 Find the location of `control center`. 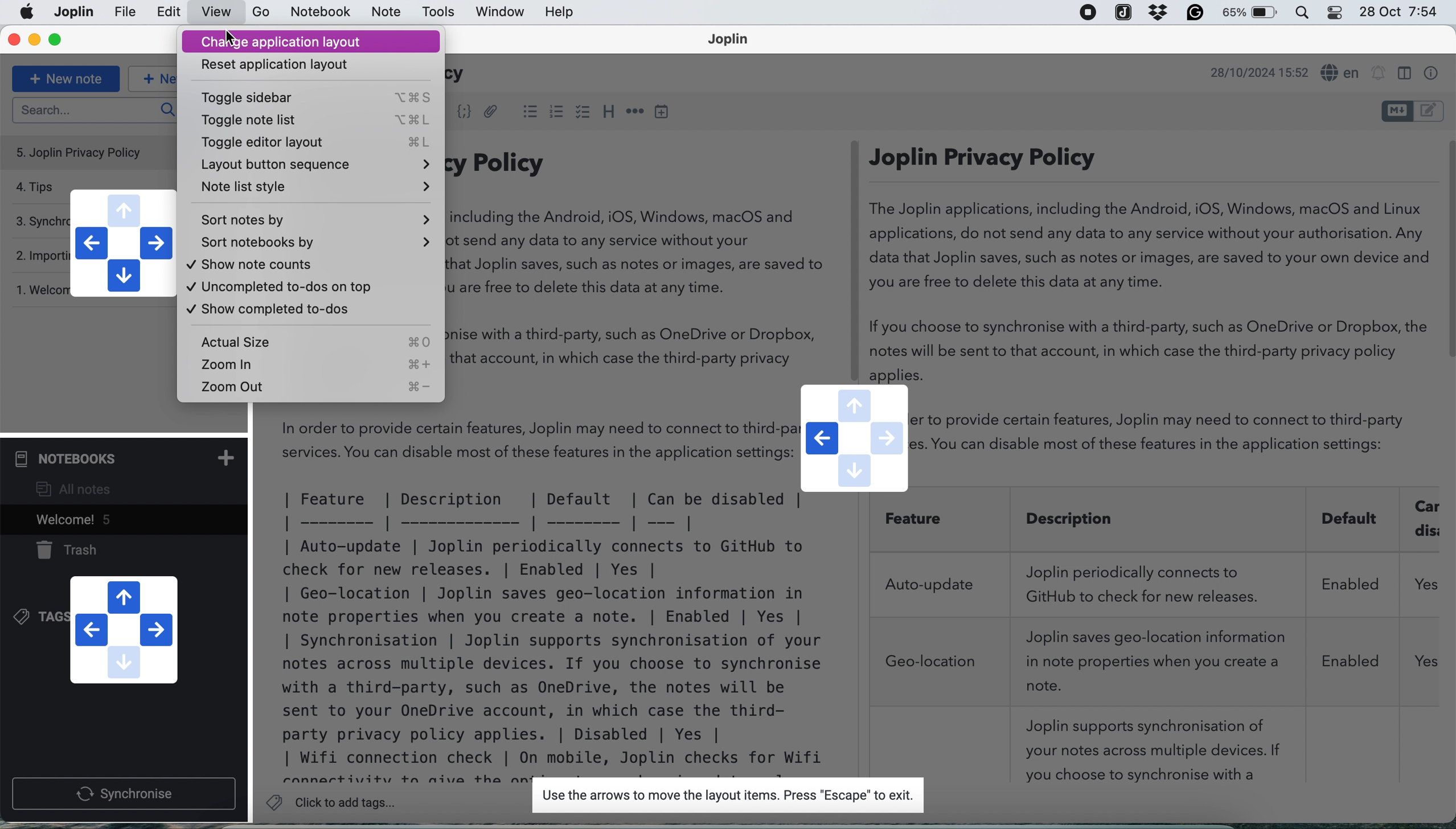

control center is located at coordinates (1307, 13).